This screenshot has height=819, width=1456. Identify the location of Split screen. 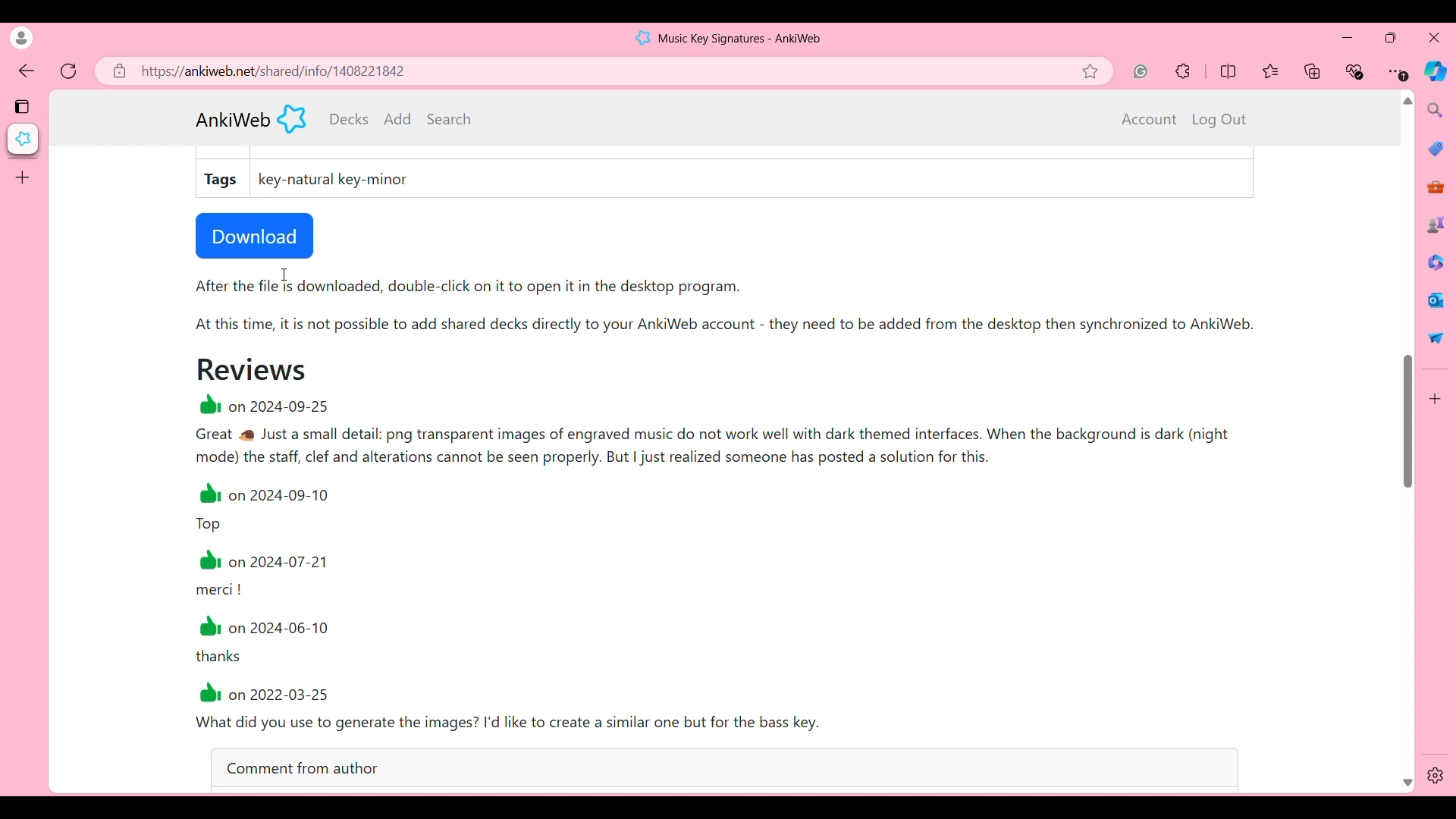
(1228, 71).